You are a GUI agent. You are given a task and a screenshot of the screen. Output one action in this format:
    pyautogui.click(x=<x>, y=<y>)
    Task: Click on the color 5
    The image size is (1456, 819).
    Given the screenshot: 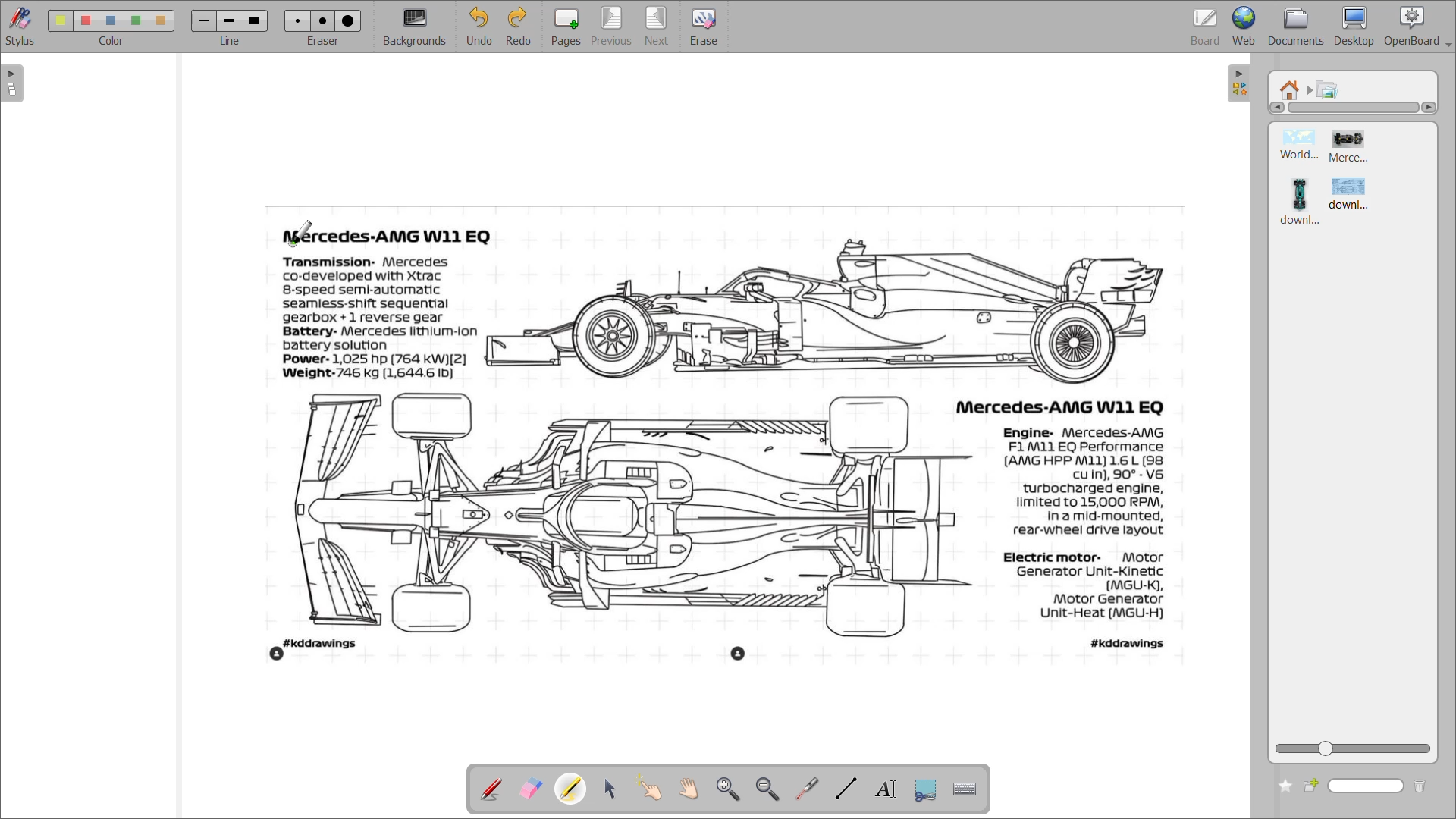 What is the action you would take?
    pyautogui.click(x=162, y=20)
    